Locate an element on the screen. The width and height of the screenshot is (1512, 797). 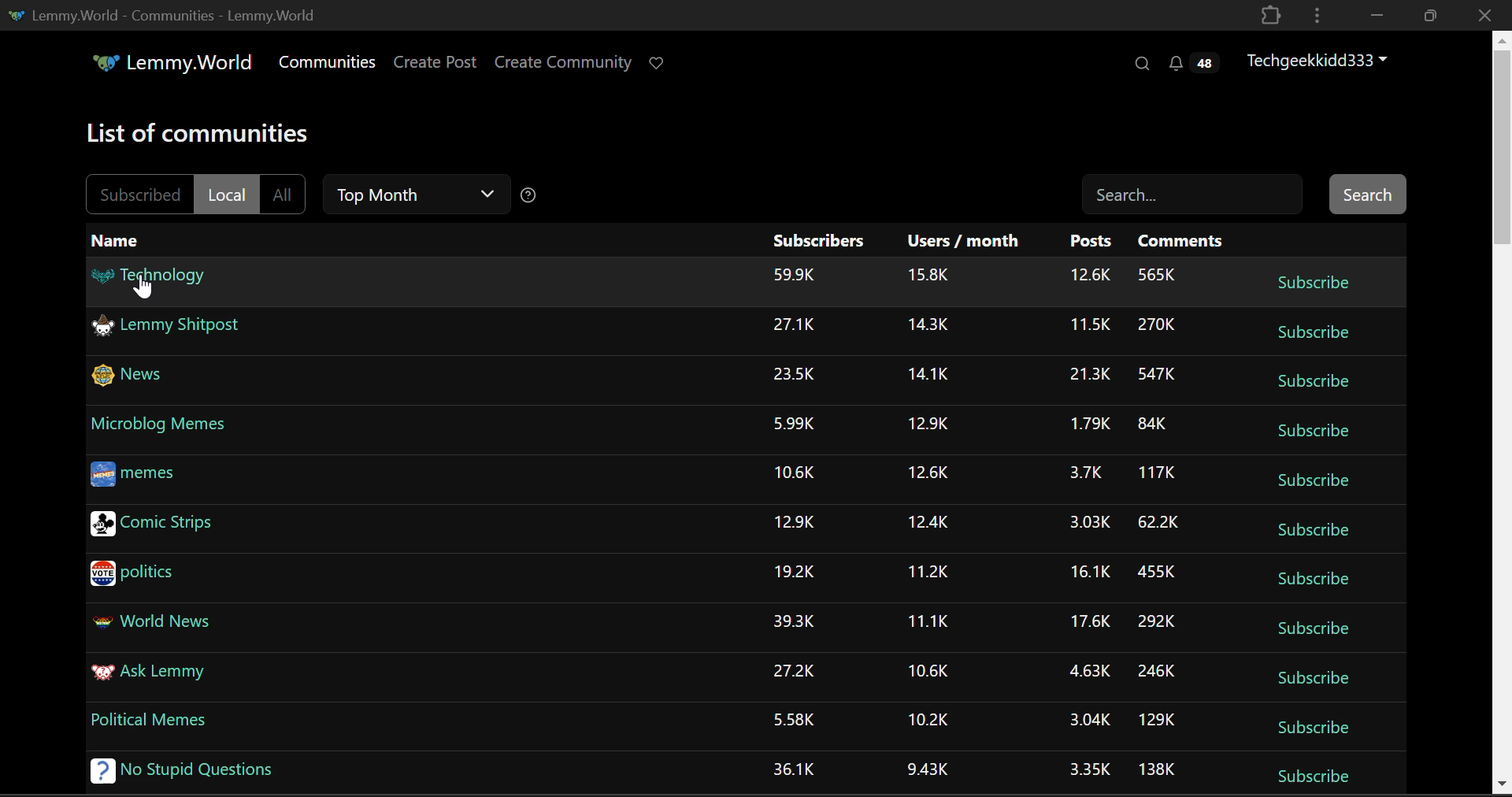
Search Button is located at coordinates (1370, 194).